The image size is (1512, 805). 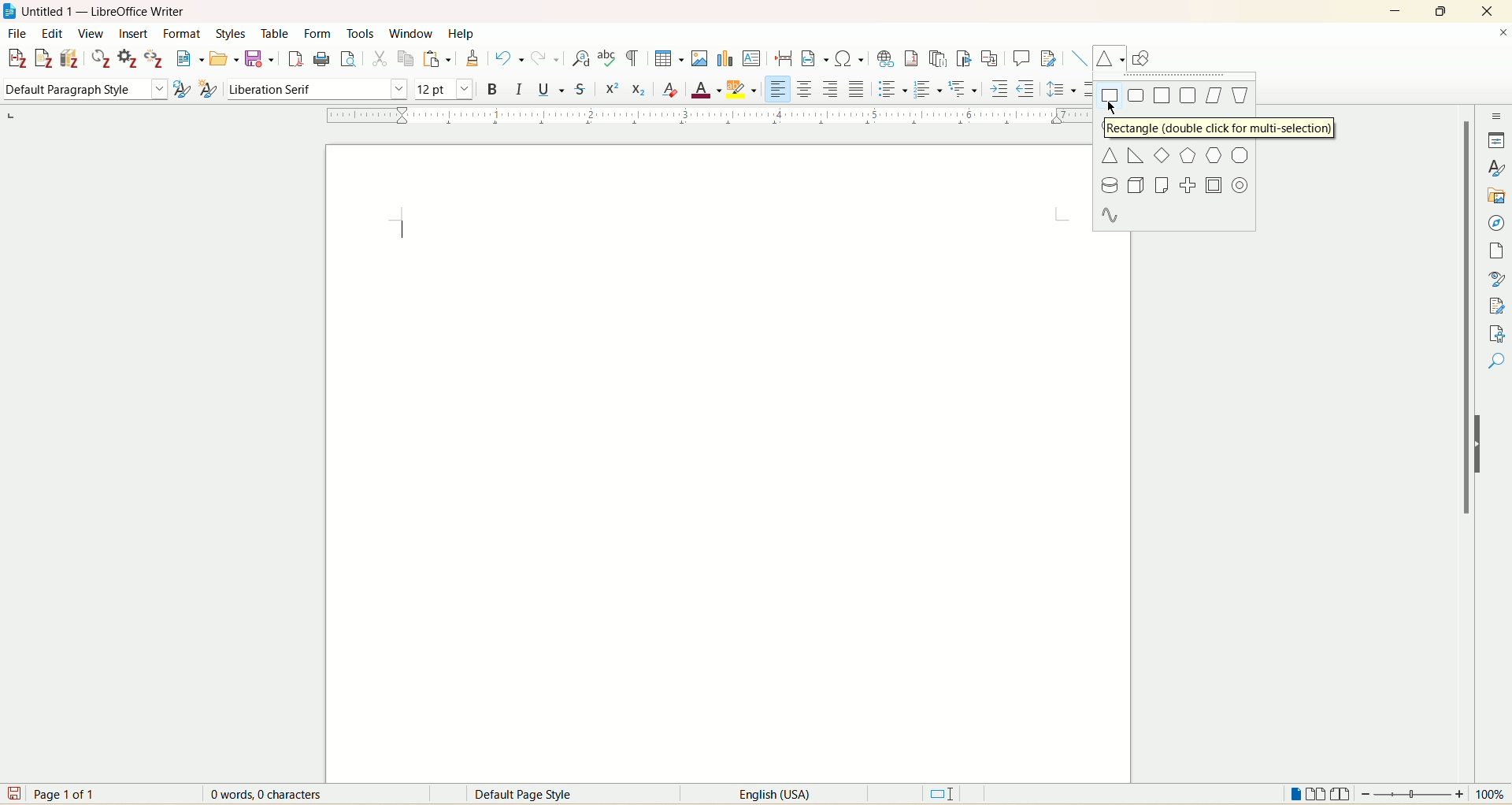 What do you see at coordinates (1497, 114) in the screenshot?
I see `sidebar settings` at bounding box center [1497, 114].